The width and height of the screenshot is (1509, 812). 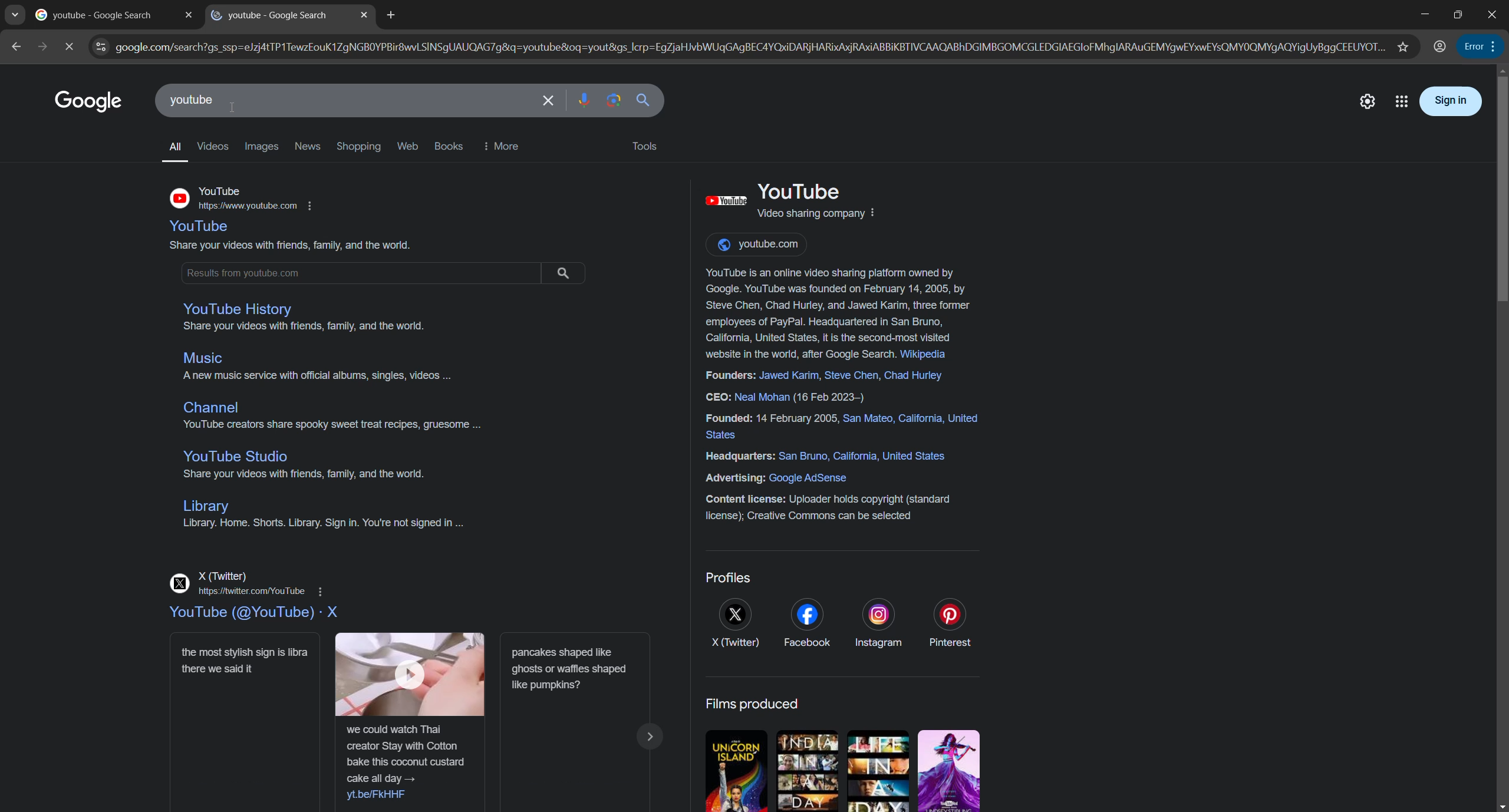 What do you see at coordinates (612, 101) in the screenshot?
I see `search by image` at bounding box center [612, 101].